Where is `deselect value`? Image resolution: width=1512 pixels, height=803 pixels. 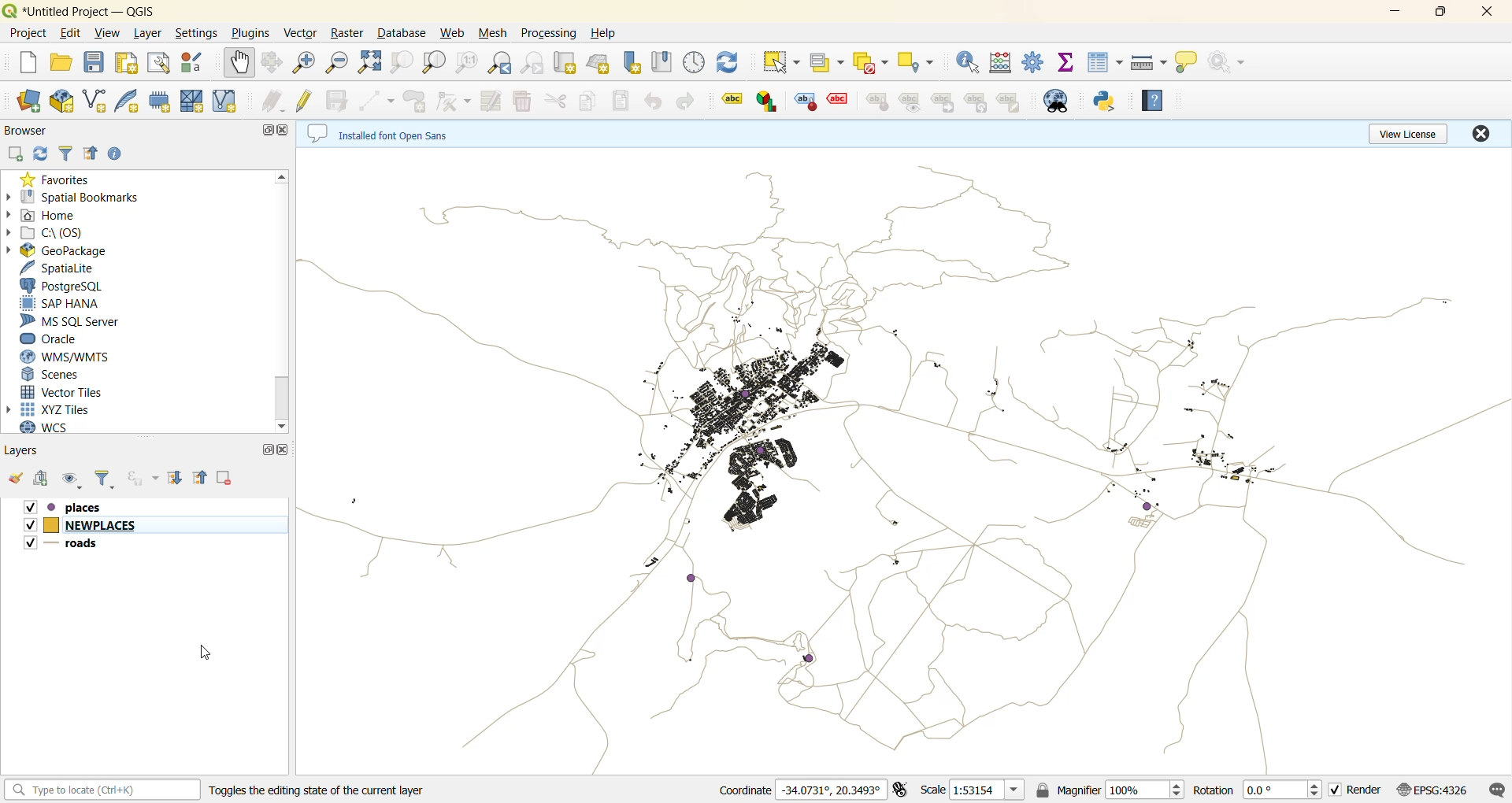
deselect value is located at coordinates (870, 61).